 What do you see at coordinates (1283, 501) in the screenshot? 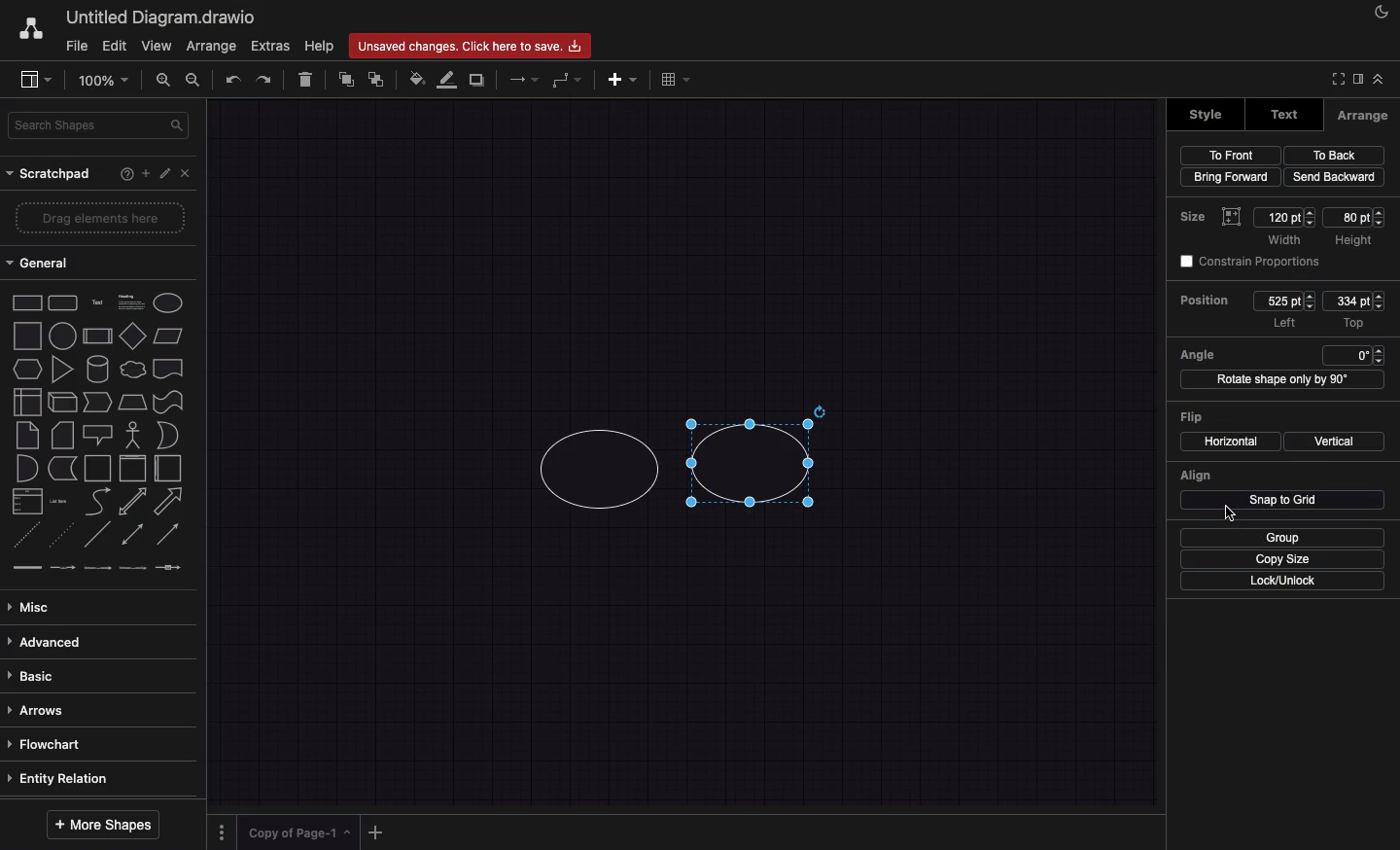
I see `snap to grid` at bounding box center [1283, 501].